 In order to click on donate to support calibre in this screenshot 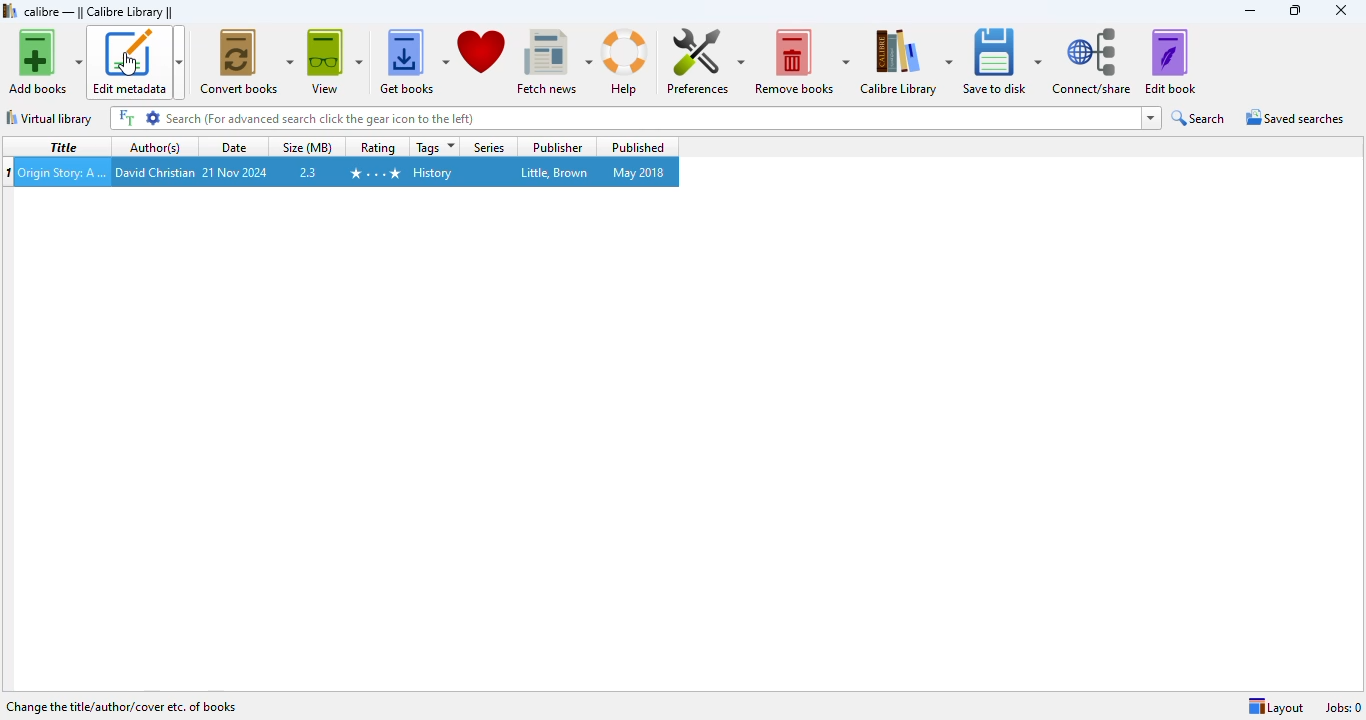, I will do `click(482, 51)`.